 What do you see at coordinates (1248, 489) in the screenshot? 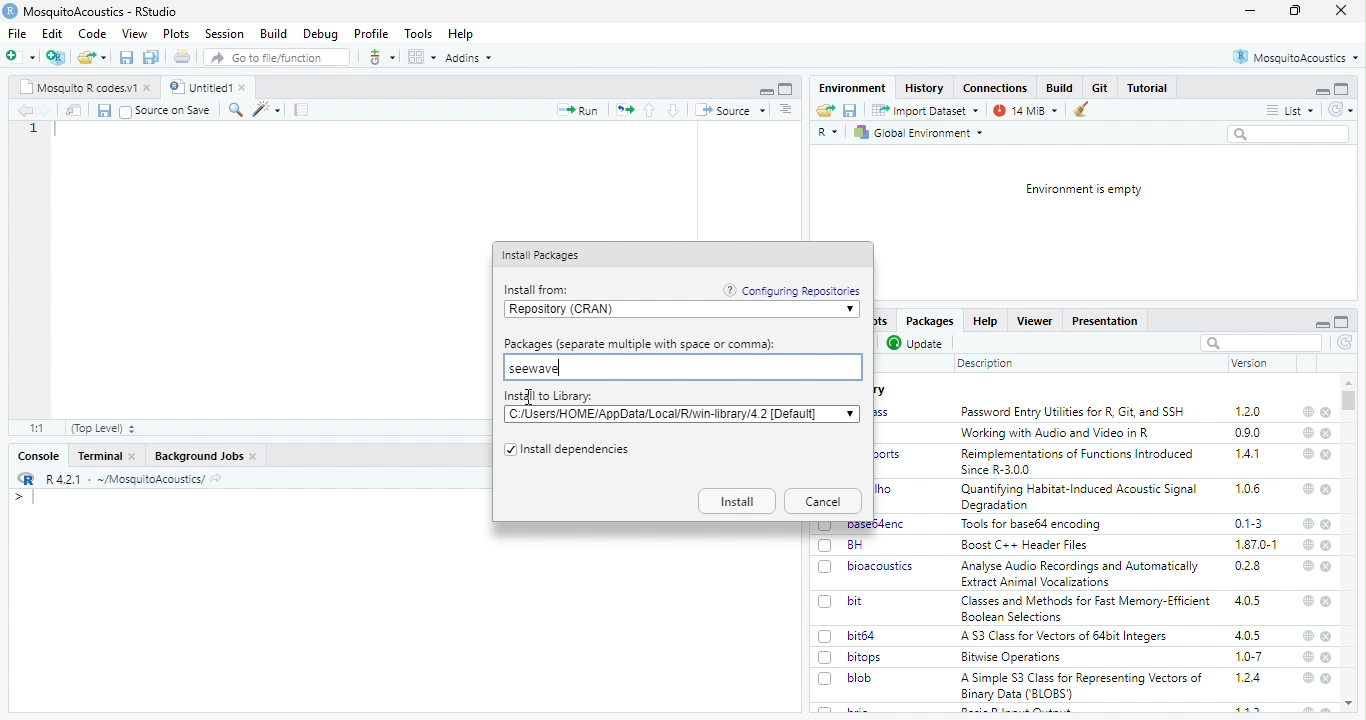
I see `106` at bounding box center [1248, 489].